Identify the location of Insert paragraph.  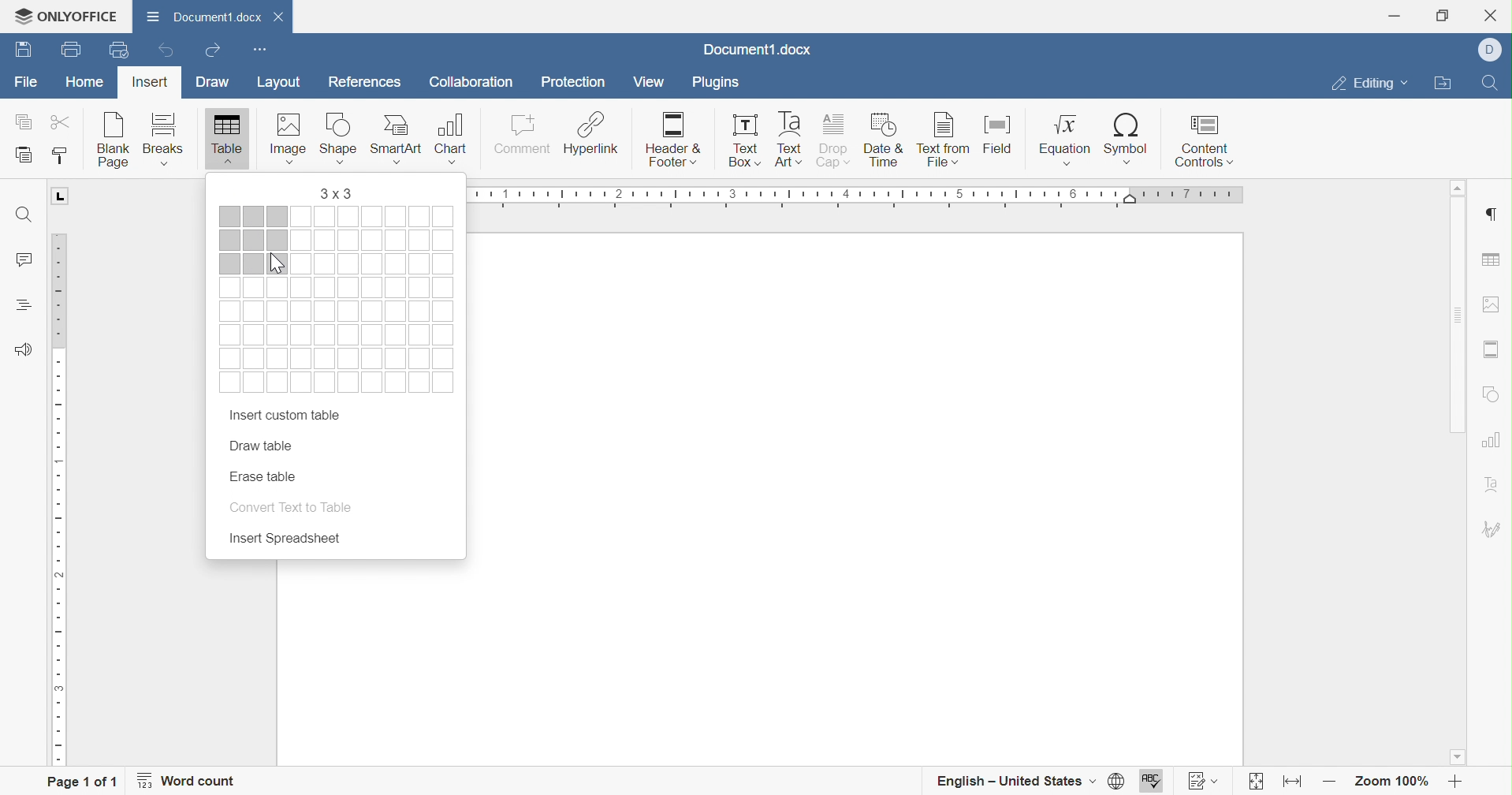
(1489, 214).